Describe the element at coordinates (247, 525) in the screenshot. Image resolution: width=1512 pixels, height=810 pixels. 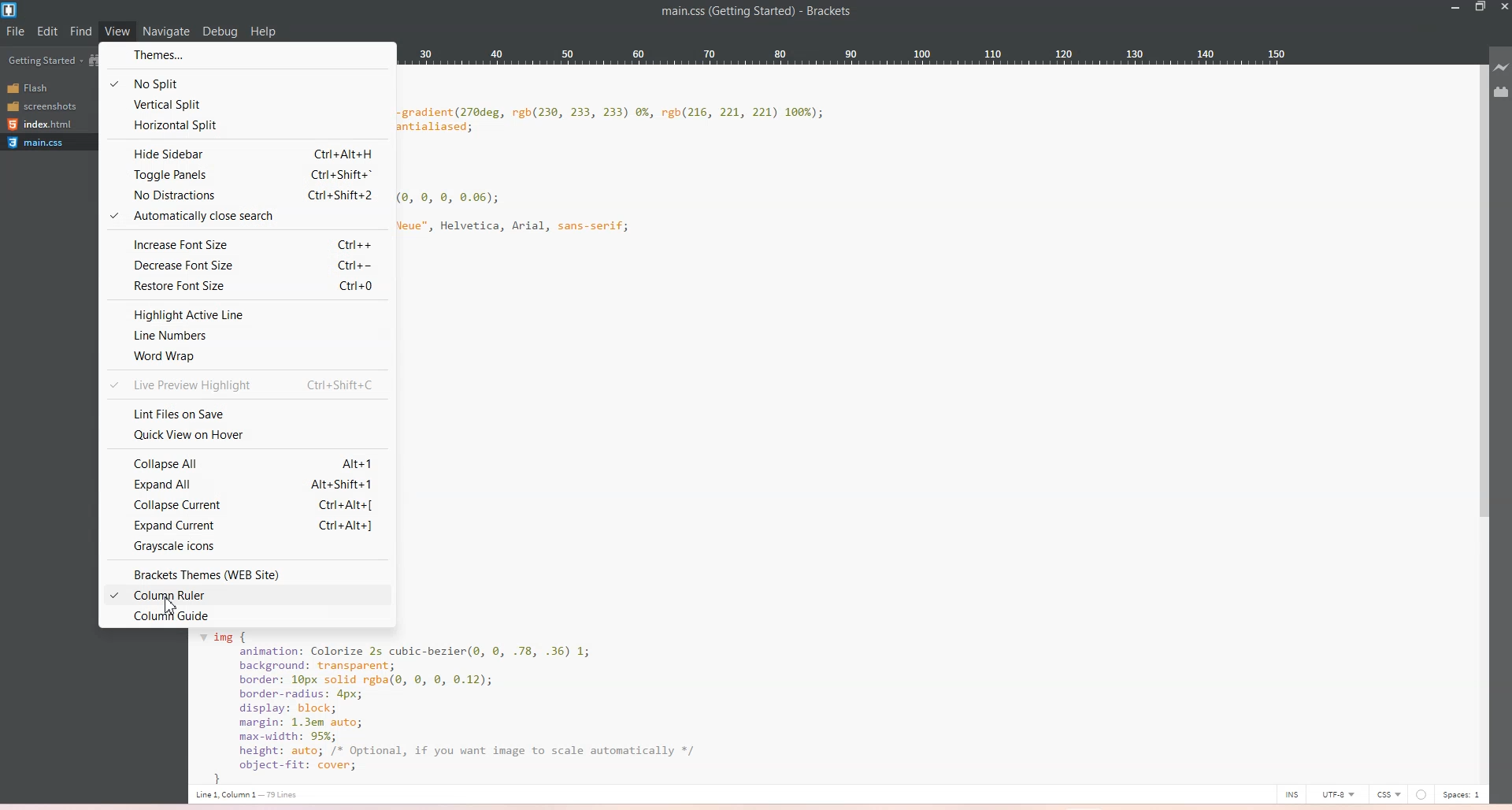
I see `Expand Current` at that location.